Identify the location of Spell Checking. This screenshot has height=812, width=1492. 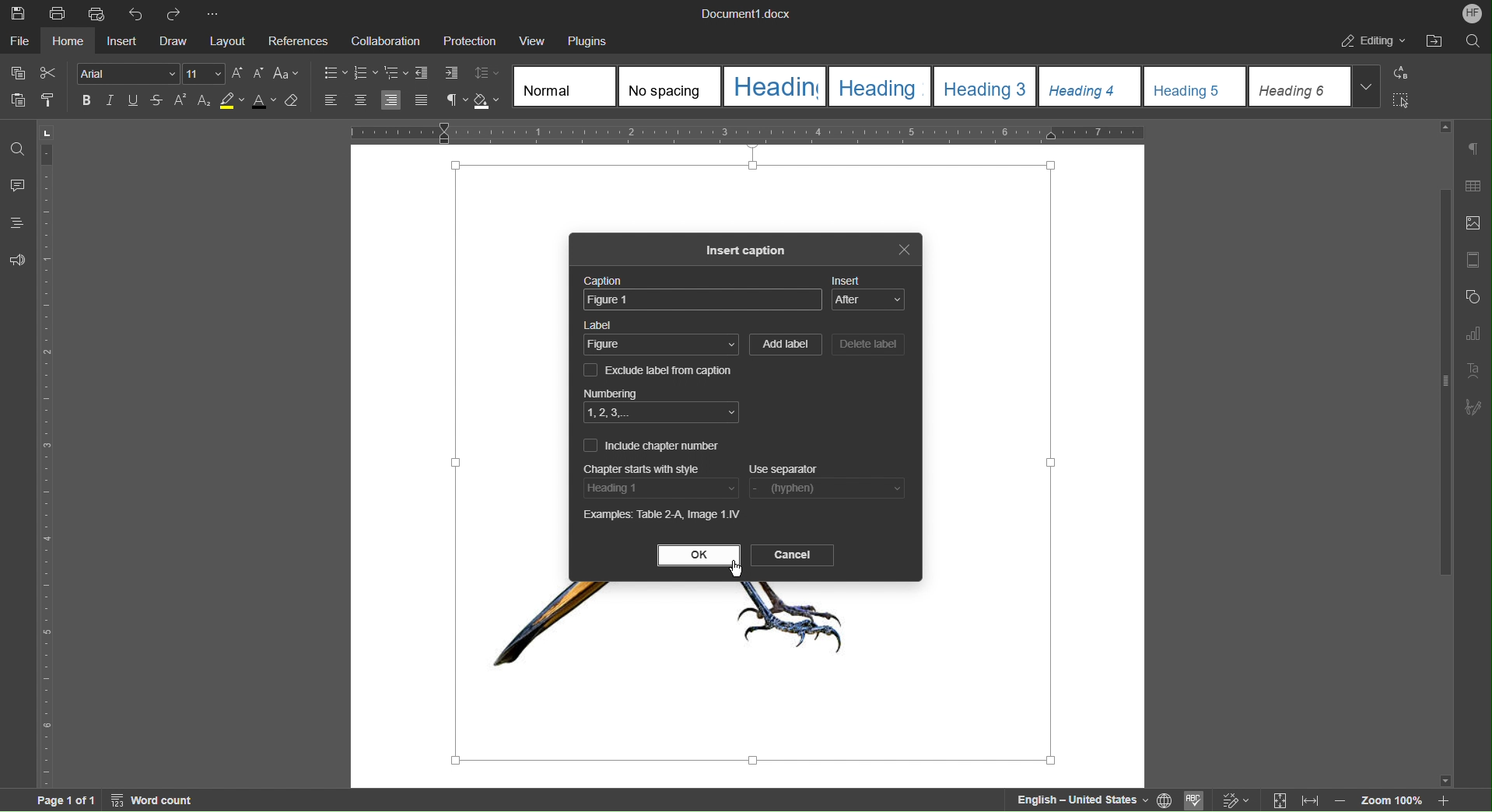
(1197, 799).